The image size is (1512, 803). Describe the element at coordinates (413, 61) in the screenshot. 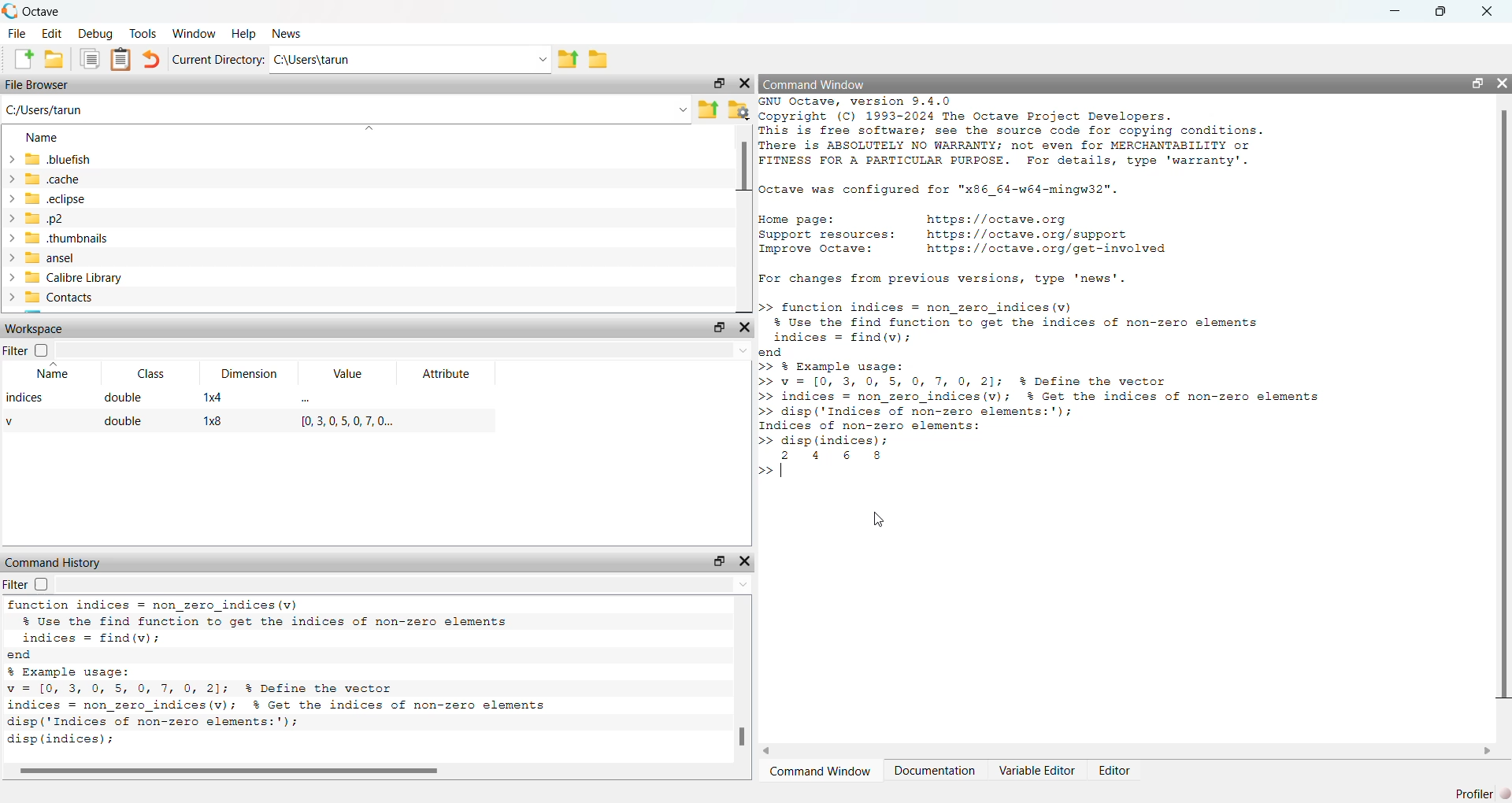

I see `C:\Users\tarun Ld` at that location.